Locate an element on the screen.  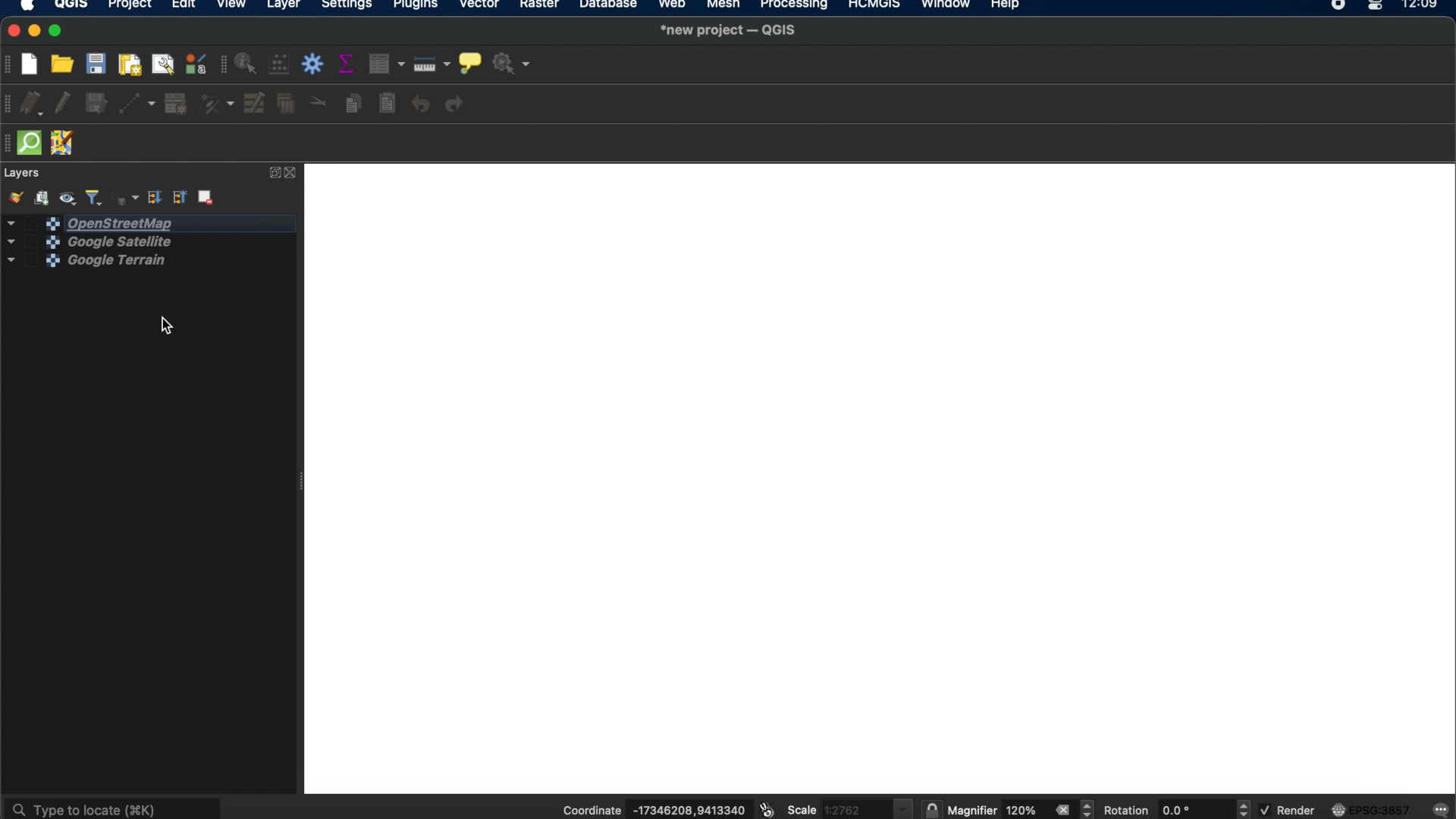
modify is located at coordinates (256, 103).